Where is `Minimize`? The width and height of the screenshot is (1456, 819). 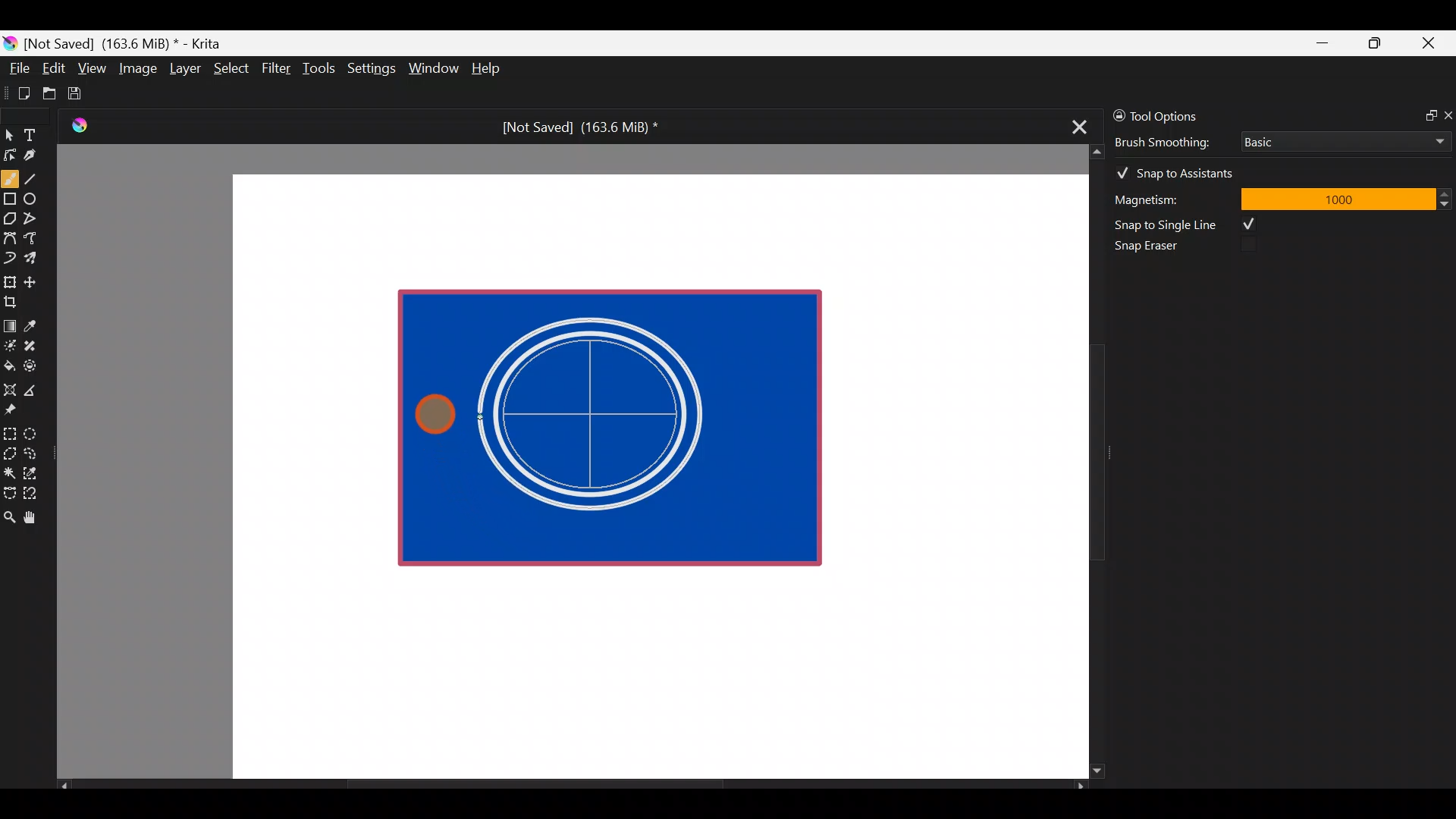 Minimize is located at coordinates (1323, 43).